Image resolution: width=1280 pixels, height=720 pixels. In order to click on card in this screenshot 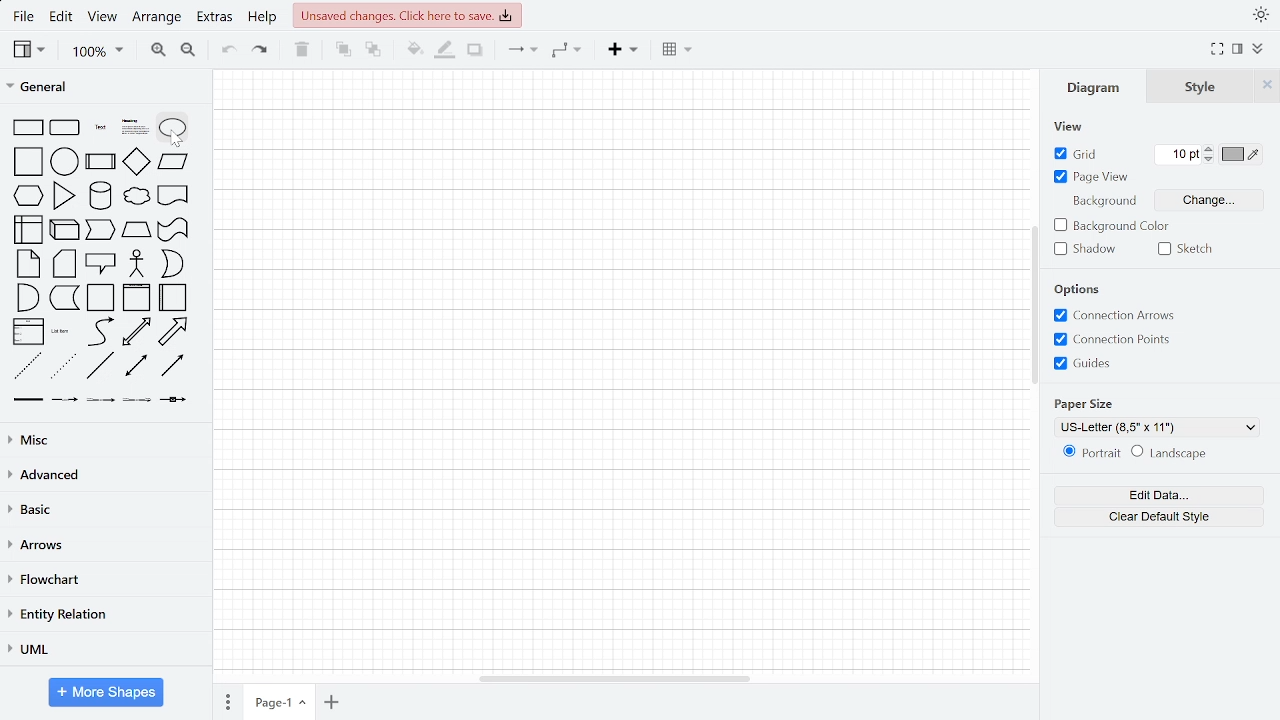, I will do `click(64, 264)`.